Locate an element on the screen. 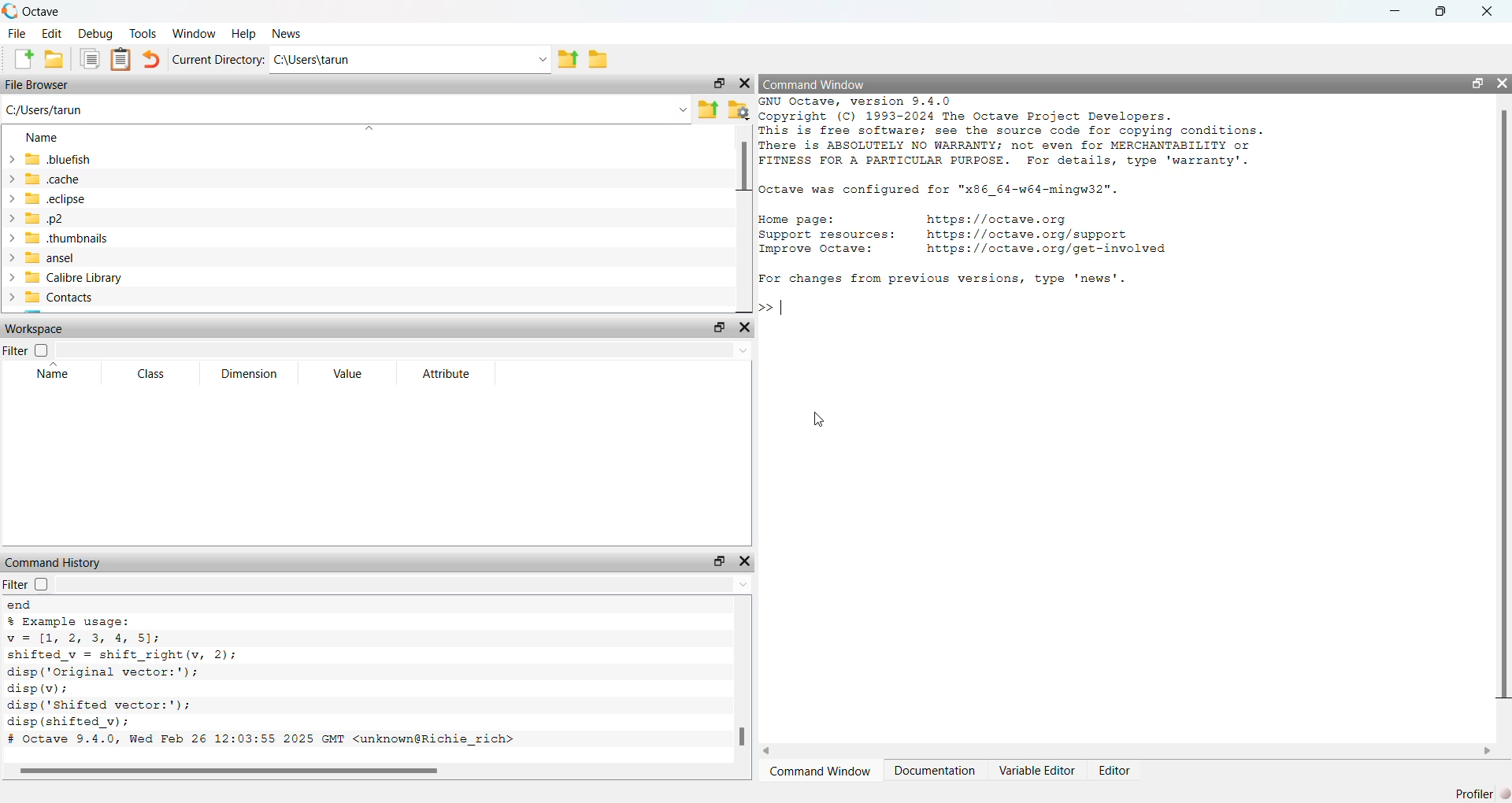 This screenshot has width=1512, height=803. cursor is located at coordinates (817, 421).